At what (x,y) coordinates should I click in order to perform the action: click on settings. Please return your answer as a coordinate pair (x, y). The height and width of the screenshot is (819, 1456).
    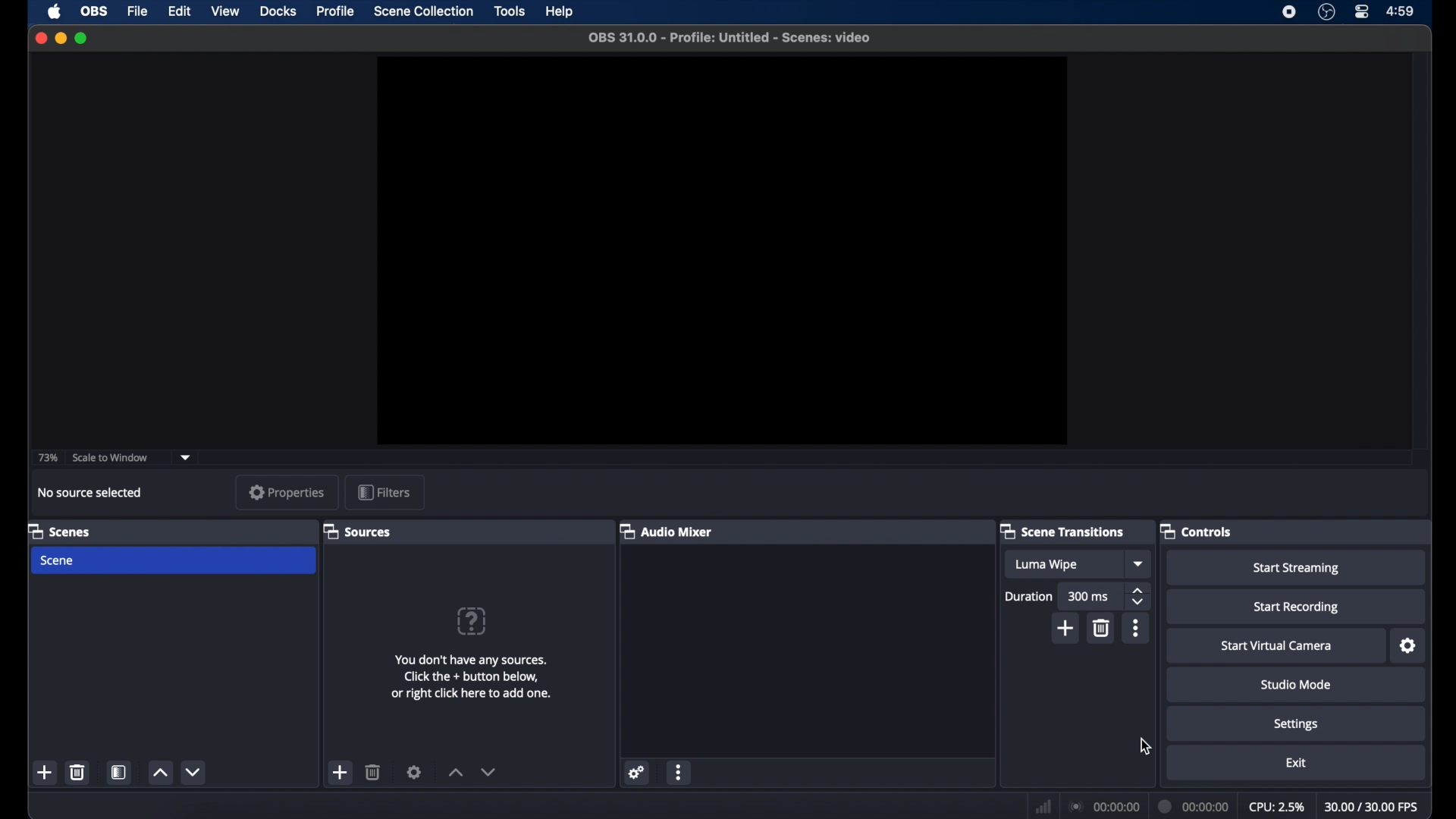
    Looking at the image, I should click on (637, 772).